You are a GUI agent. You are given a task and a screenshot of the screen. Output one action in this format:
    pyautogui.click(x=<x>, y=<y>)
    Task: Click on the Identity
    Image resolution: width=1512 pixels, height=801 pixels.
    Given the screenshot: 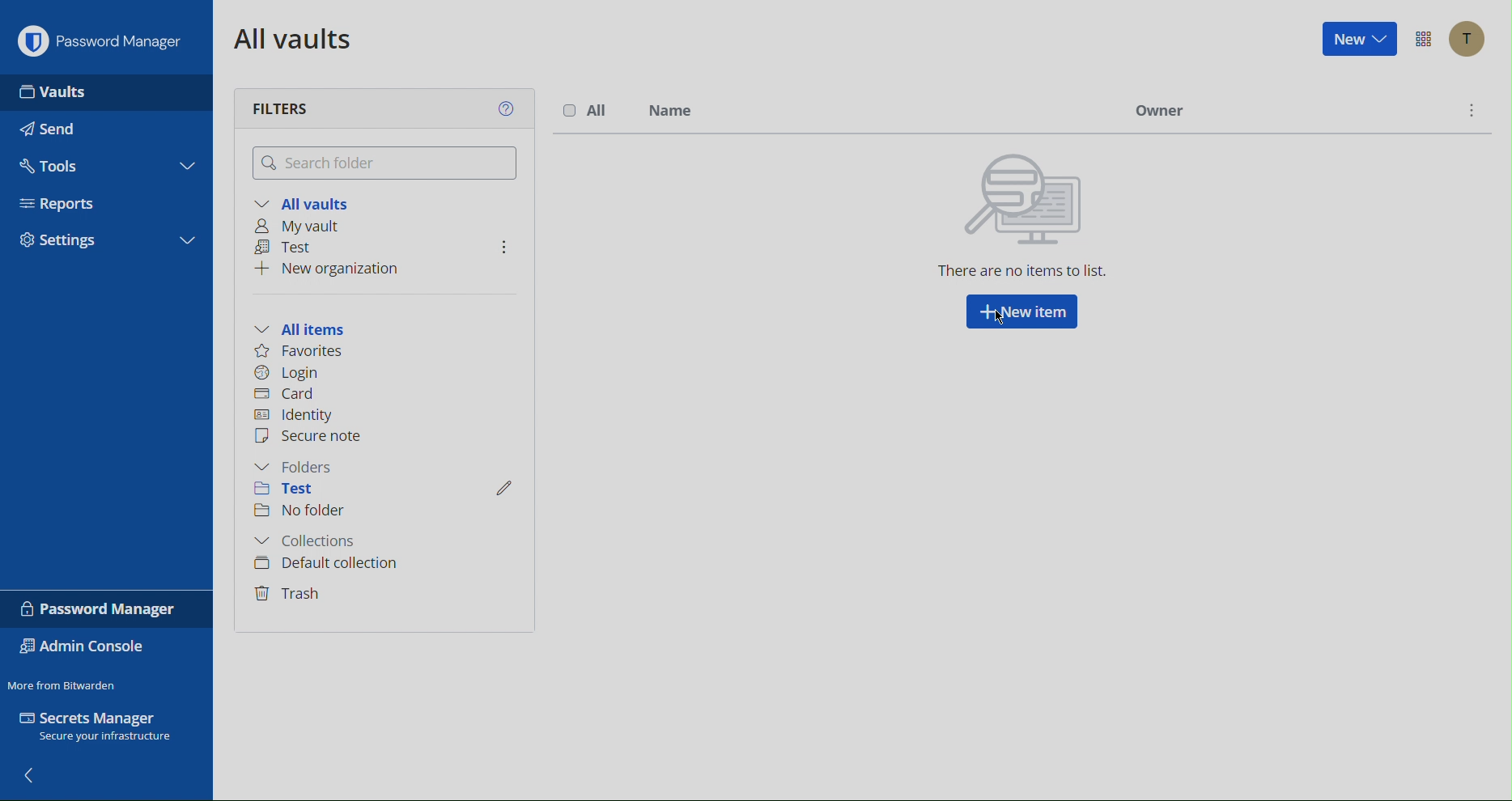 What is the action you would take?
    pyautogui.click(x=295, y=415)
    